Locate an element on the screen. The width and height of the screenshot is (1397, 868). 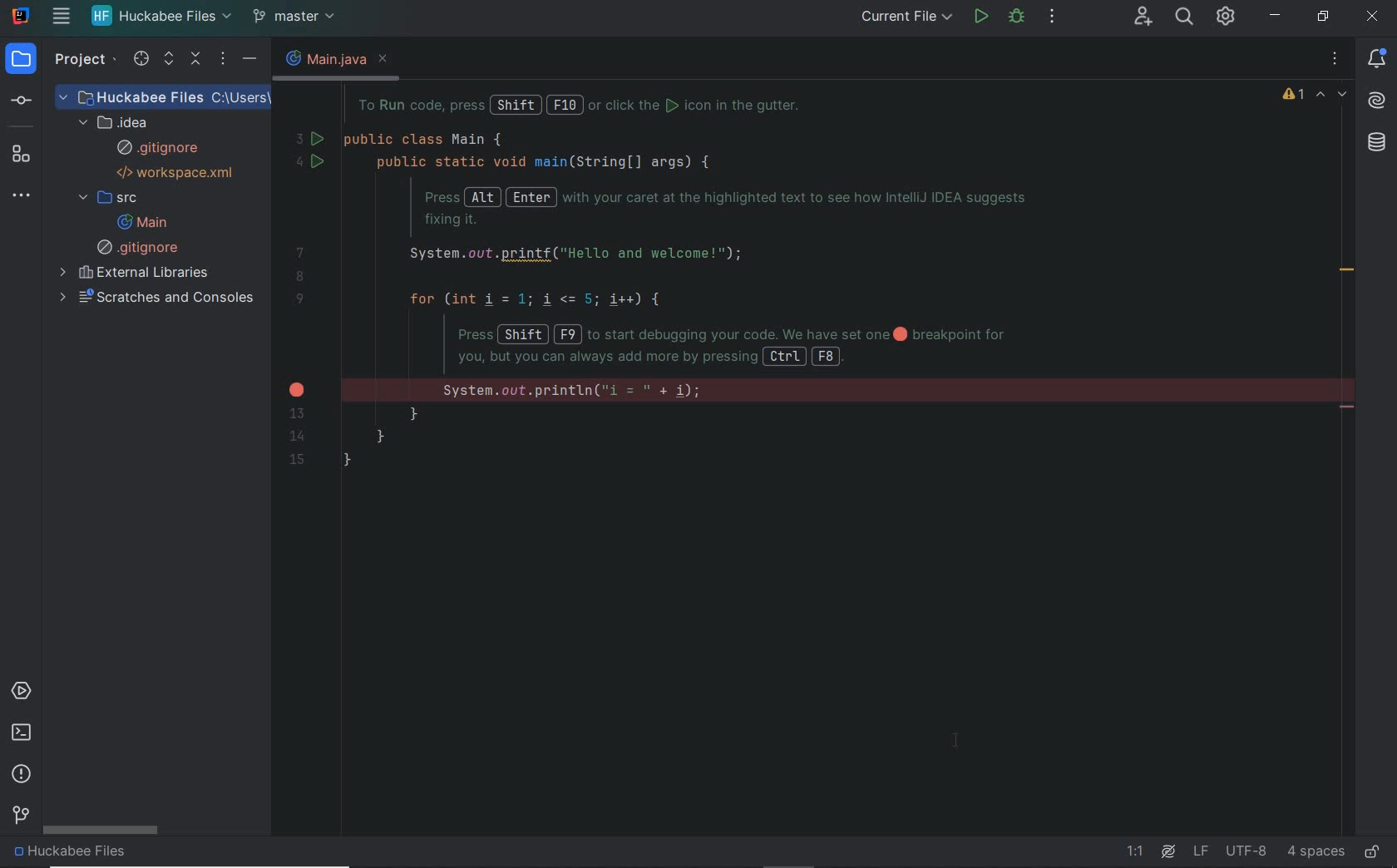
more tool windows is located at coordinates (27, 196).